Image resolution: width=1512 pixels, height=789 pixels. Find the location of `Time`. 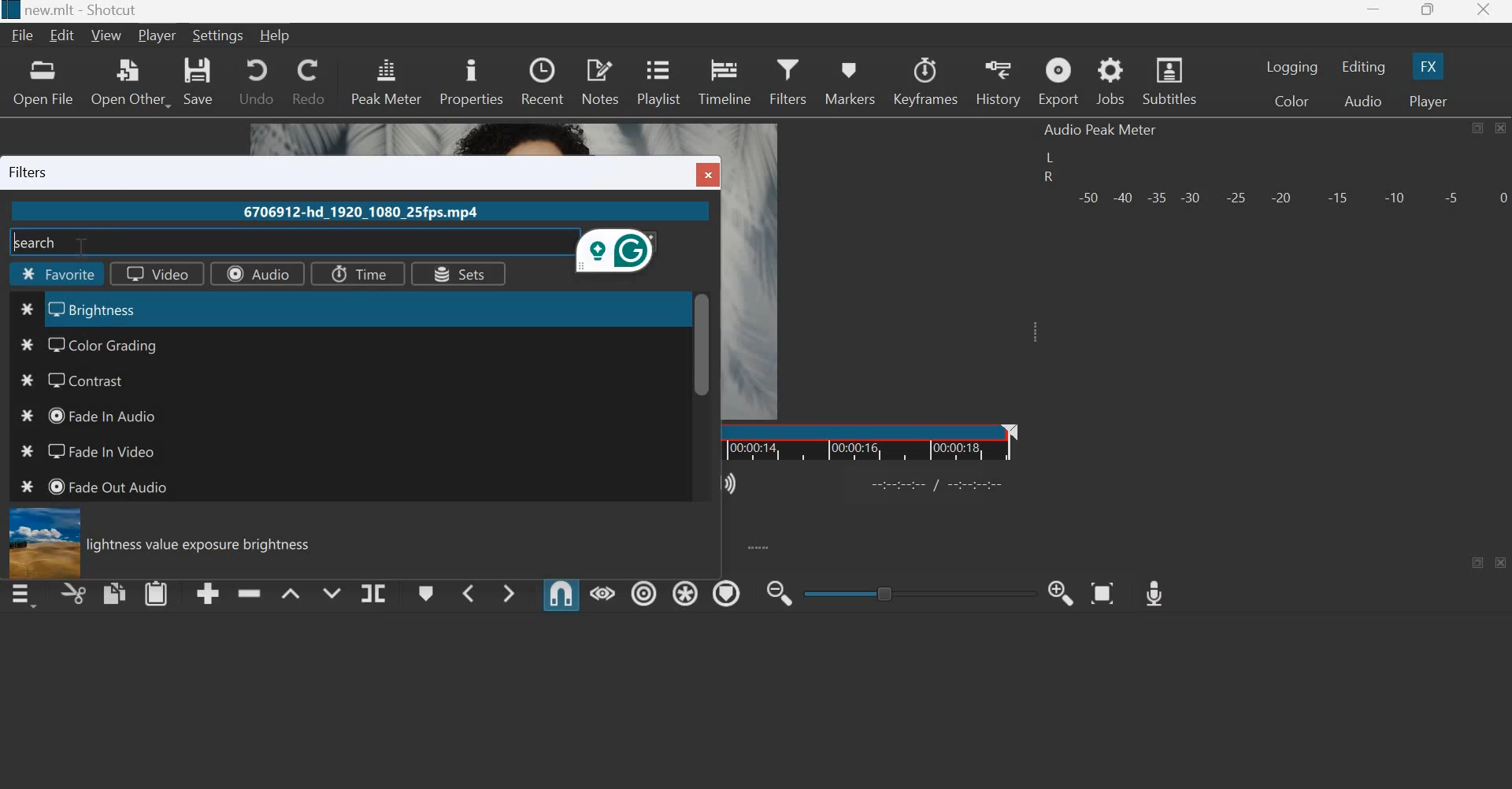

Time is located at coordinates (355, 272).